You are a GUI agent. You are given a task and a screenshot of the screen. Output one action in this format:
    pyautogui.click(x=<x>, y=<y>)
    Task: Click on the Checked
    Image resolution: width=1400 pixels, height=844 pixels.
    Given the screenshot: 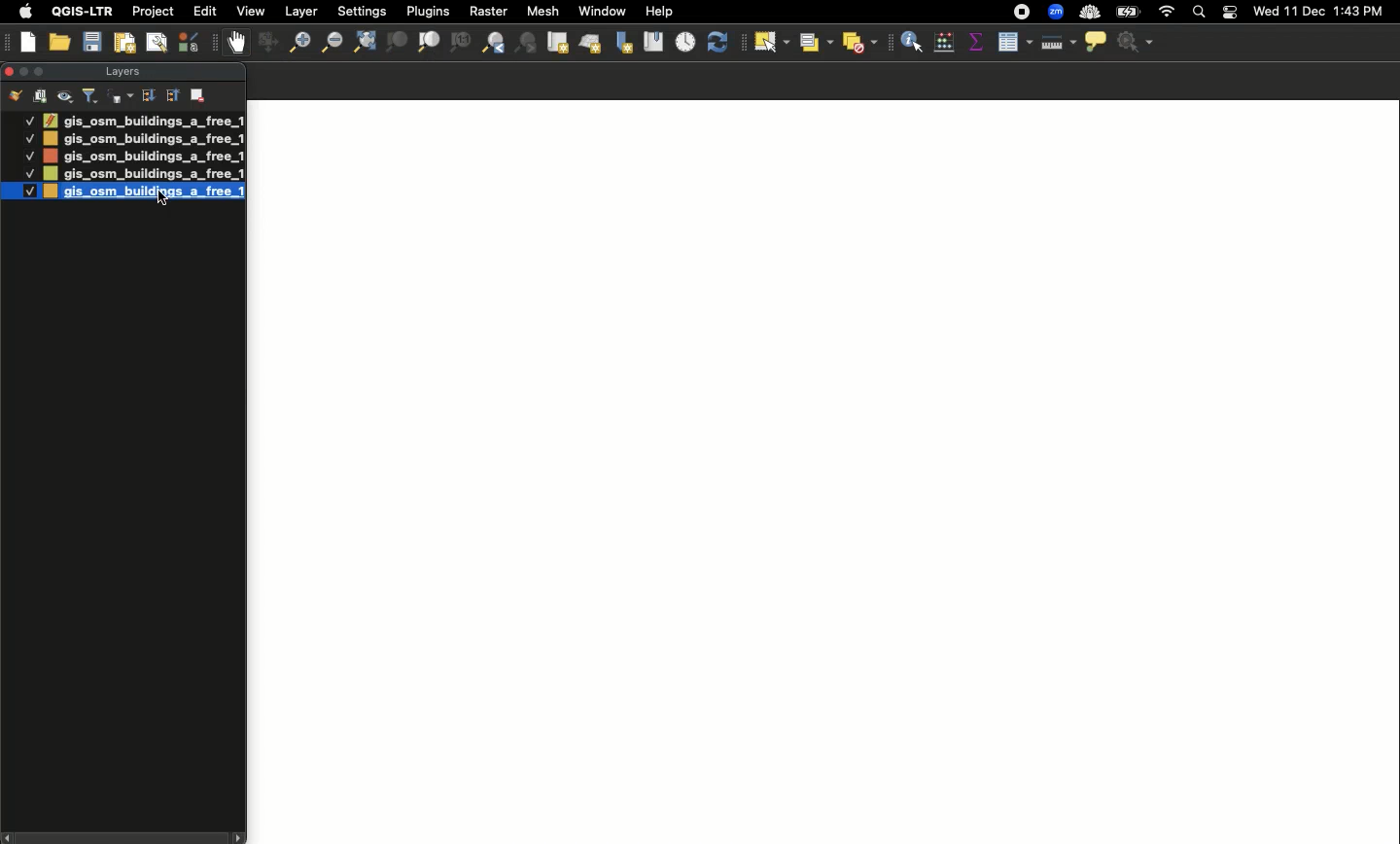 What is the action you would take?
    pyautogui.click(x=27, y=173)
    